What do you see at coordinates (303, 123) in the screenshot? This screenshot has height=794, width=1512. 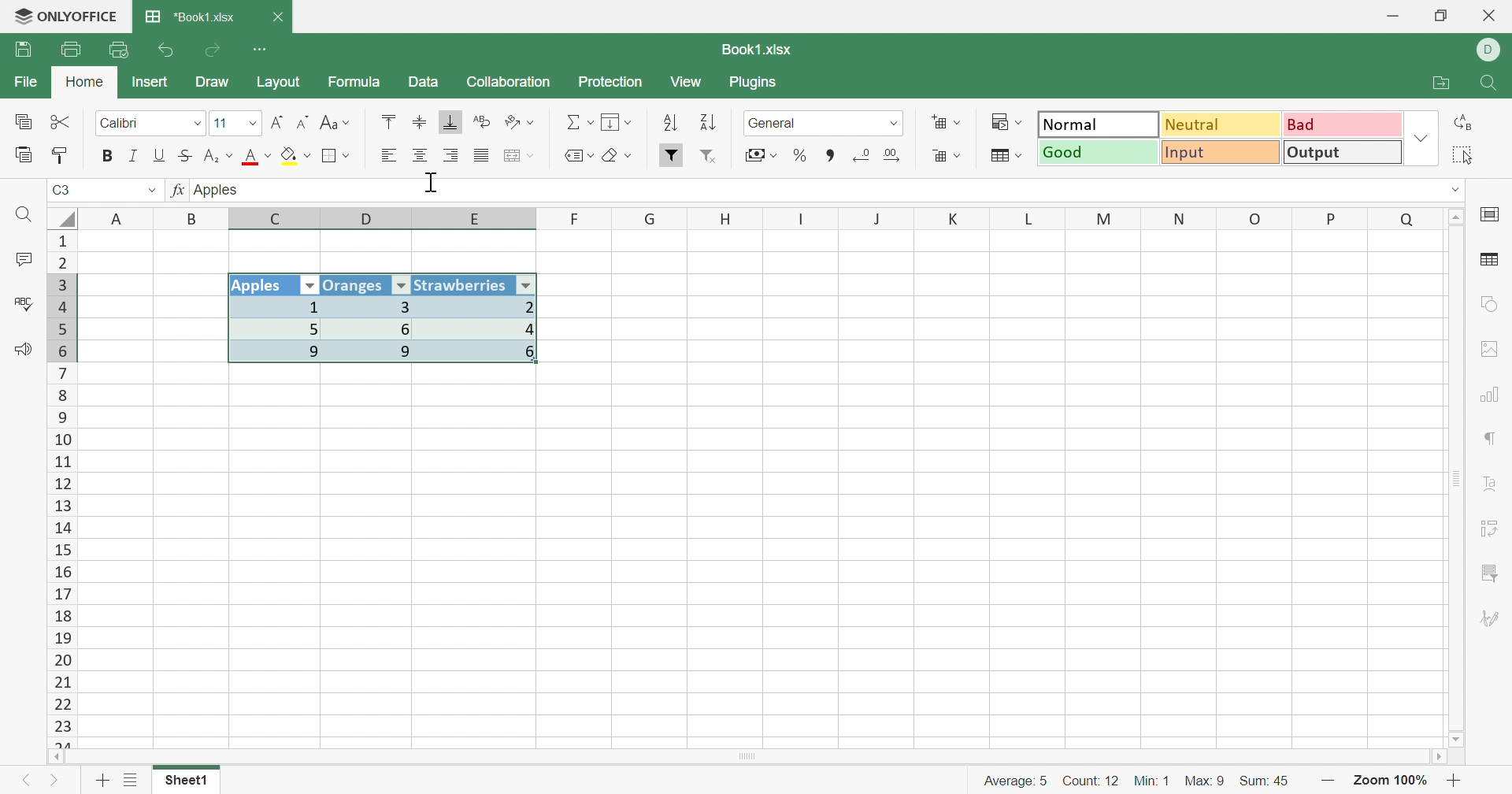 I see `Decrement font size` at bounding box center [303, 123].